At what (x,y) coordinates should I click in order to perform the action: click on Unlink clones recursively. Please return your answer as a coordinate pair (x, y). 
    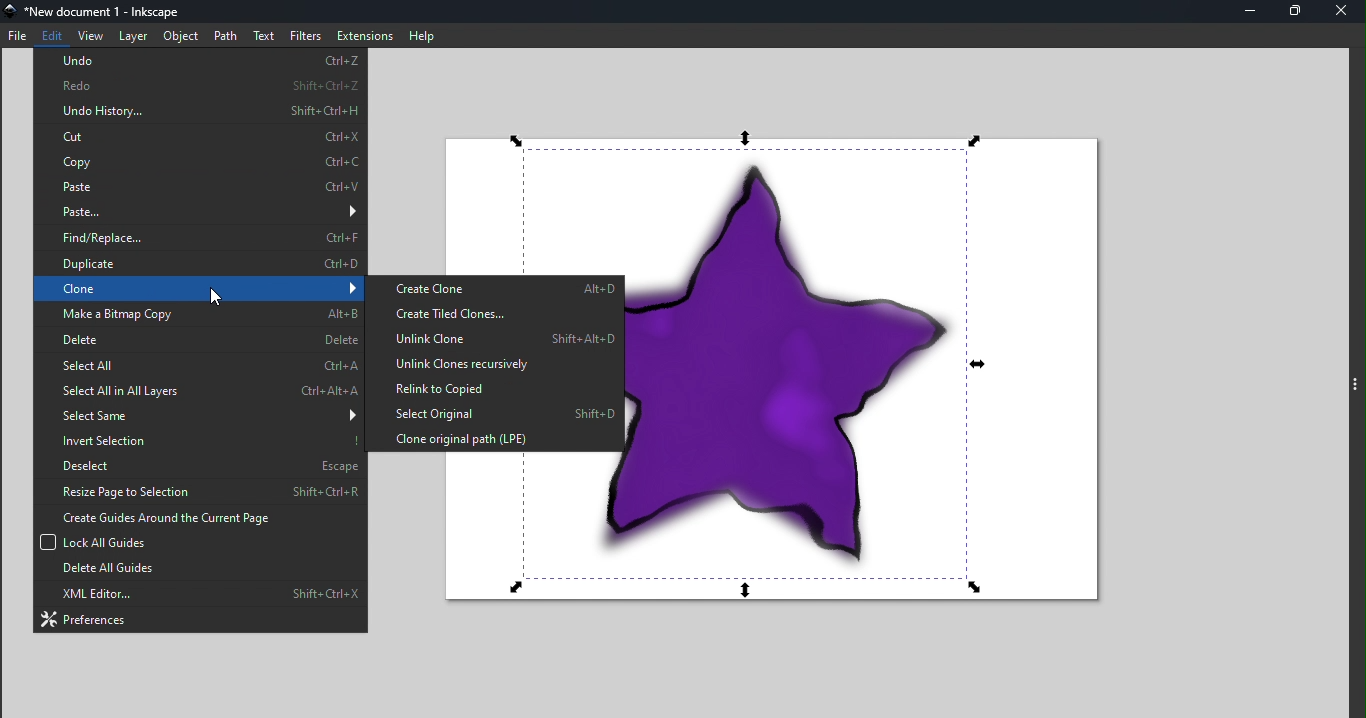
    Looking at the image, I should click on (493, 364).